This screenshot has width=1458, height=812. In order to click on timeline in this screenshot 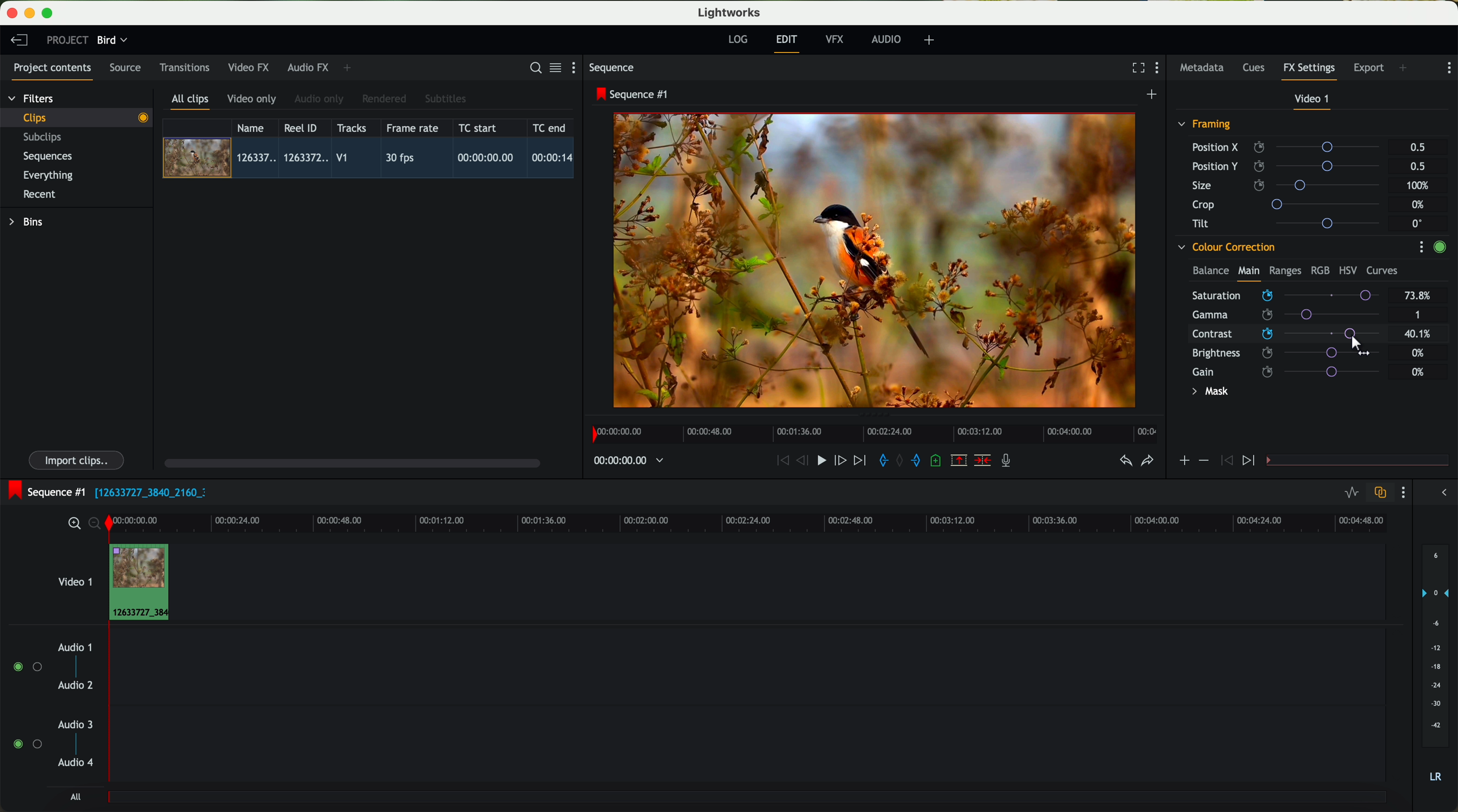, I will do `click(778, 522)`.